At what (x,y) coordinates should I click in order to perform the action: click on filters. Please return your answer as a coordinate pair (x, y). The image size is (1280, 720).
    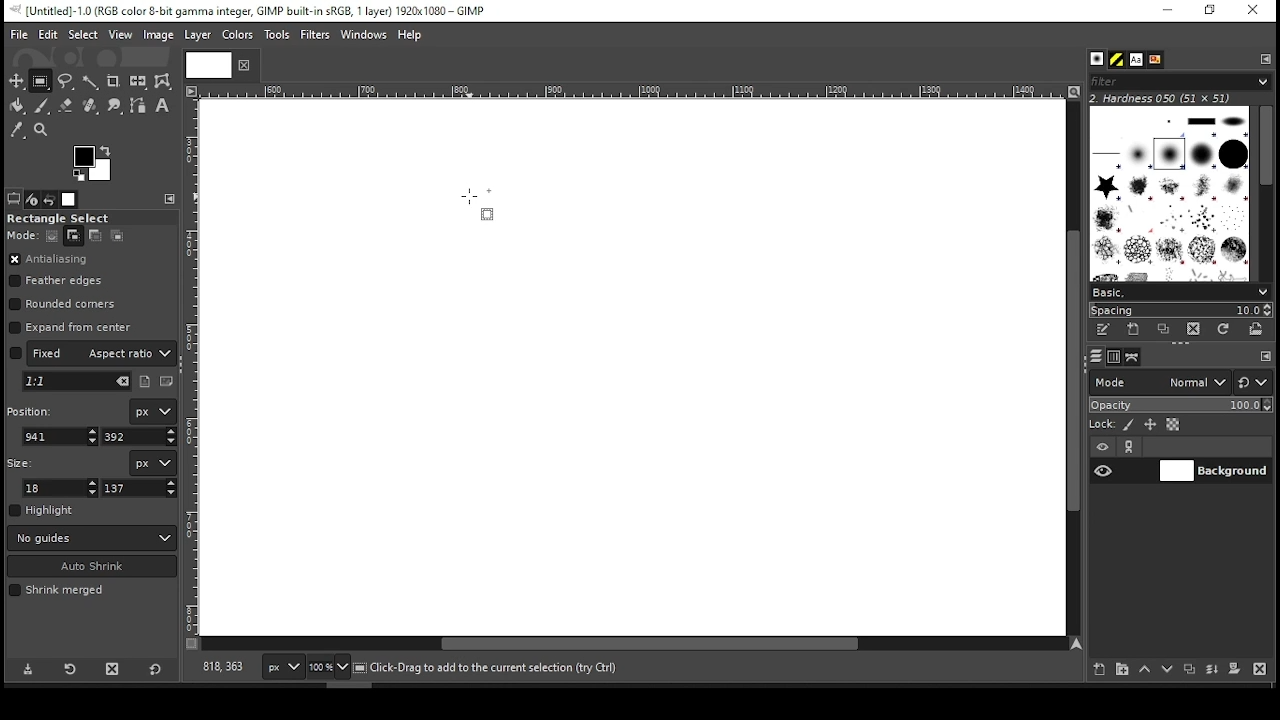
    Looking at the image, I should click on (318, 35).